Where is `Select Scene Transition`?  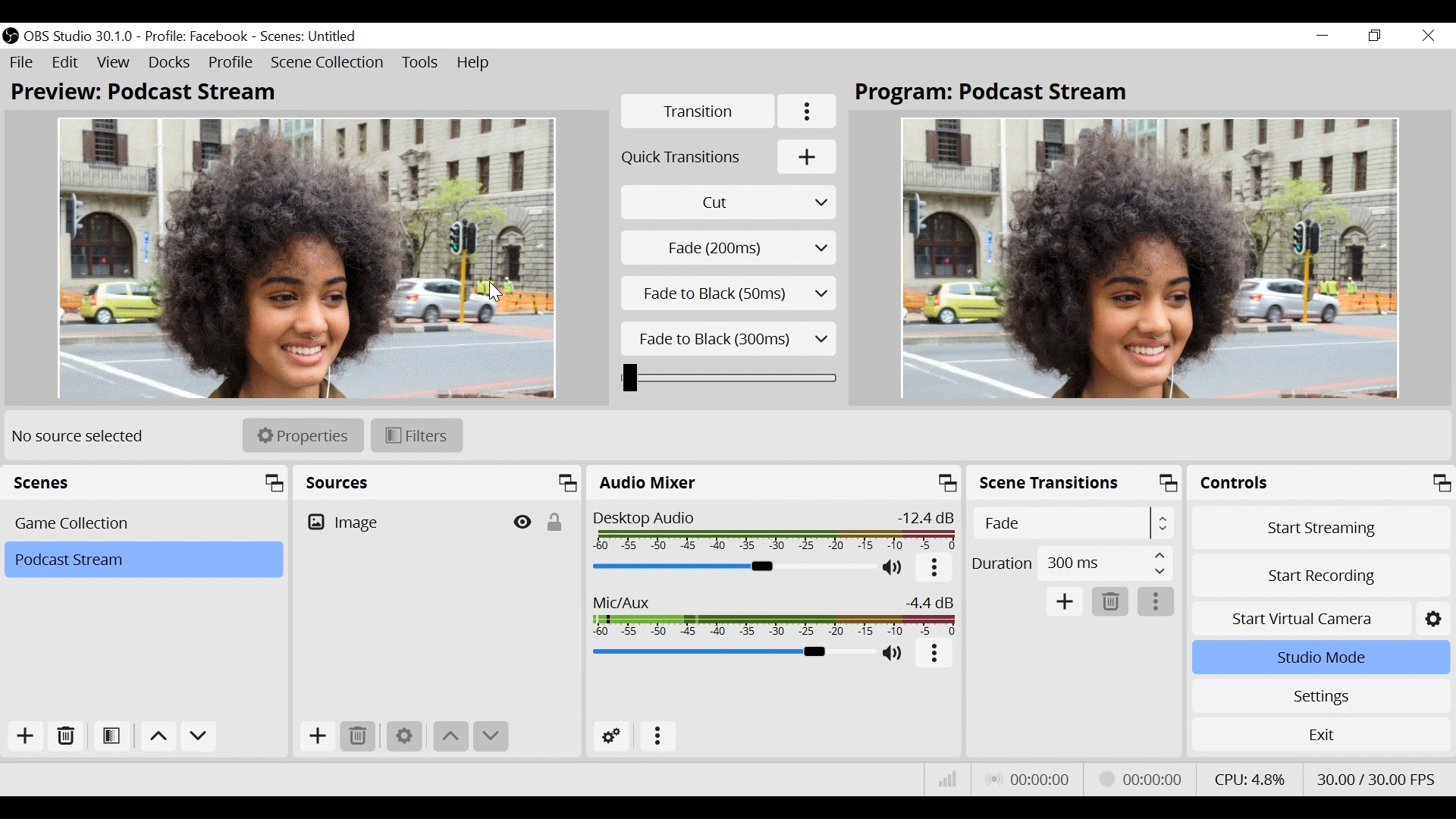 Select Scene Transition is located at coordinates (730, 248).